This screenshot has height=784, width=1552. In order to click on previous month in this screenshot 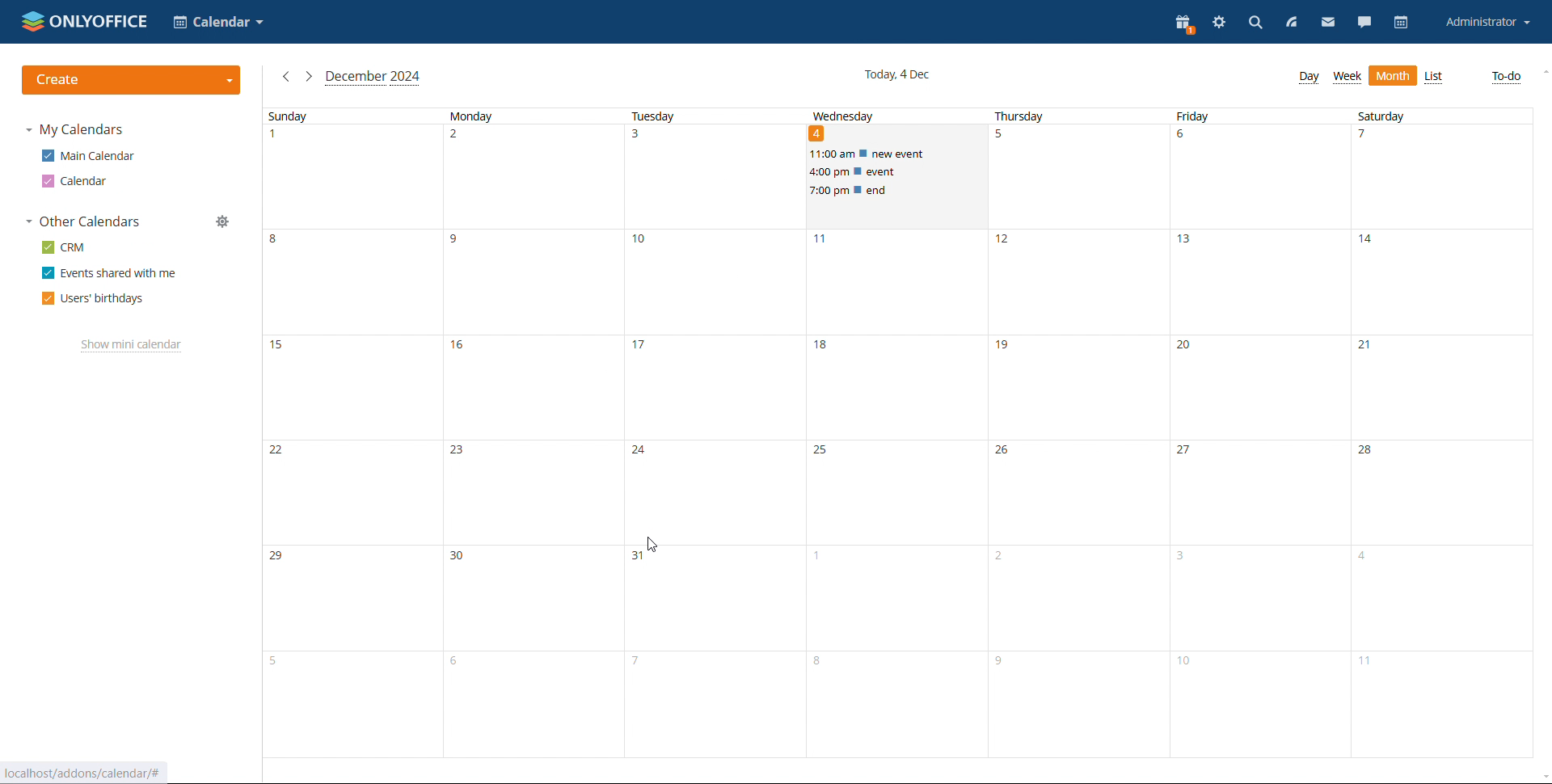, I will do `click(287, 78)`.